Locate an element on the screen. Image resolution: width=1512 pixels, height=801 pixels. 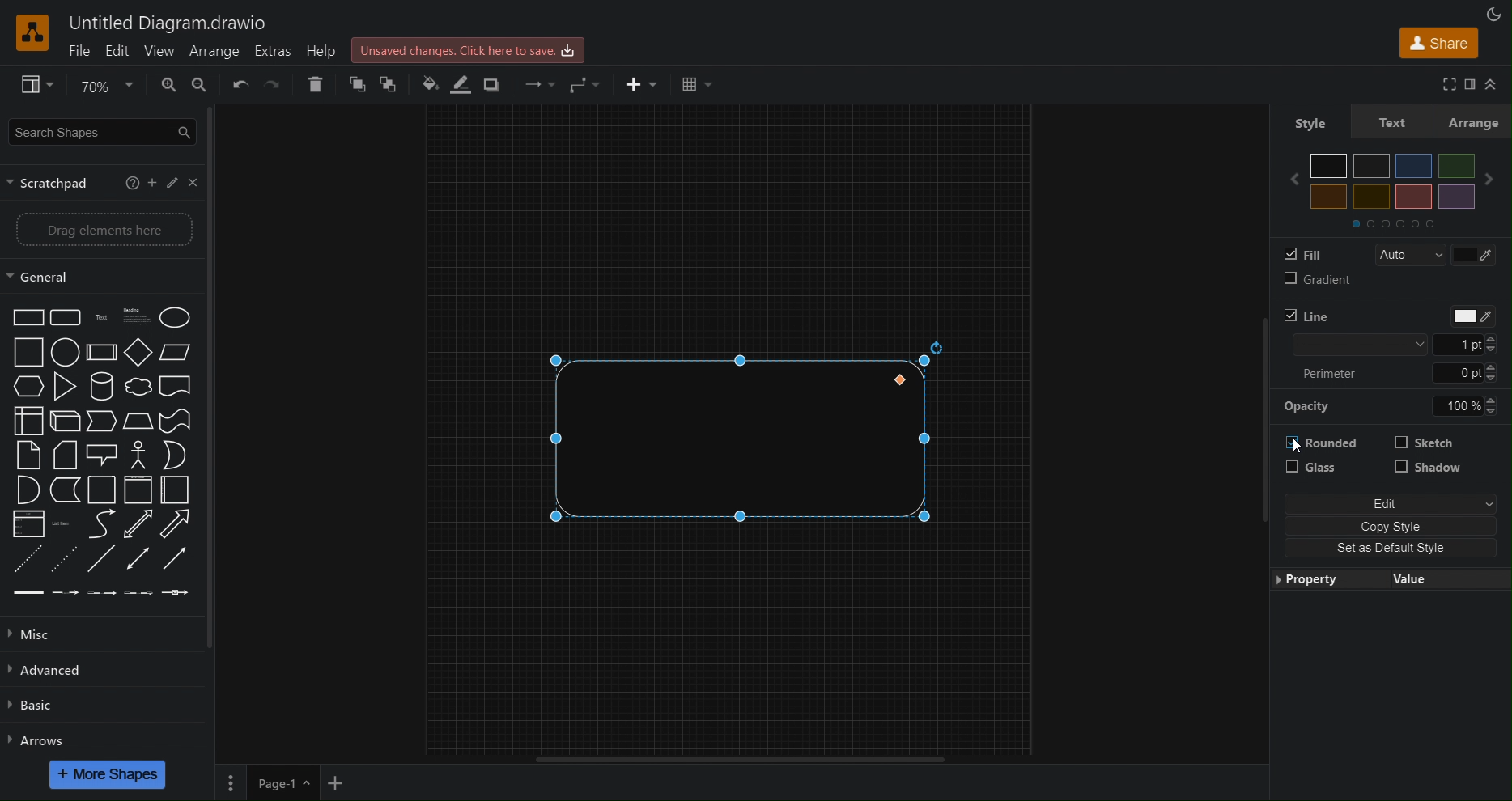
Text is located at coordinates (1398, 121).